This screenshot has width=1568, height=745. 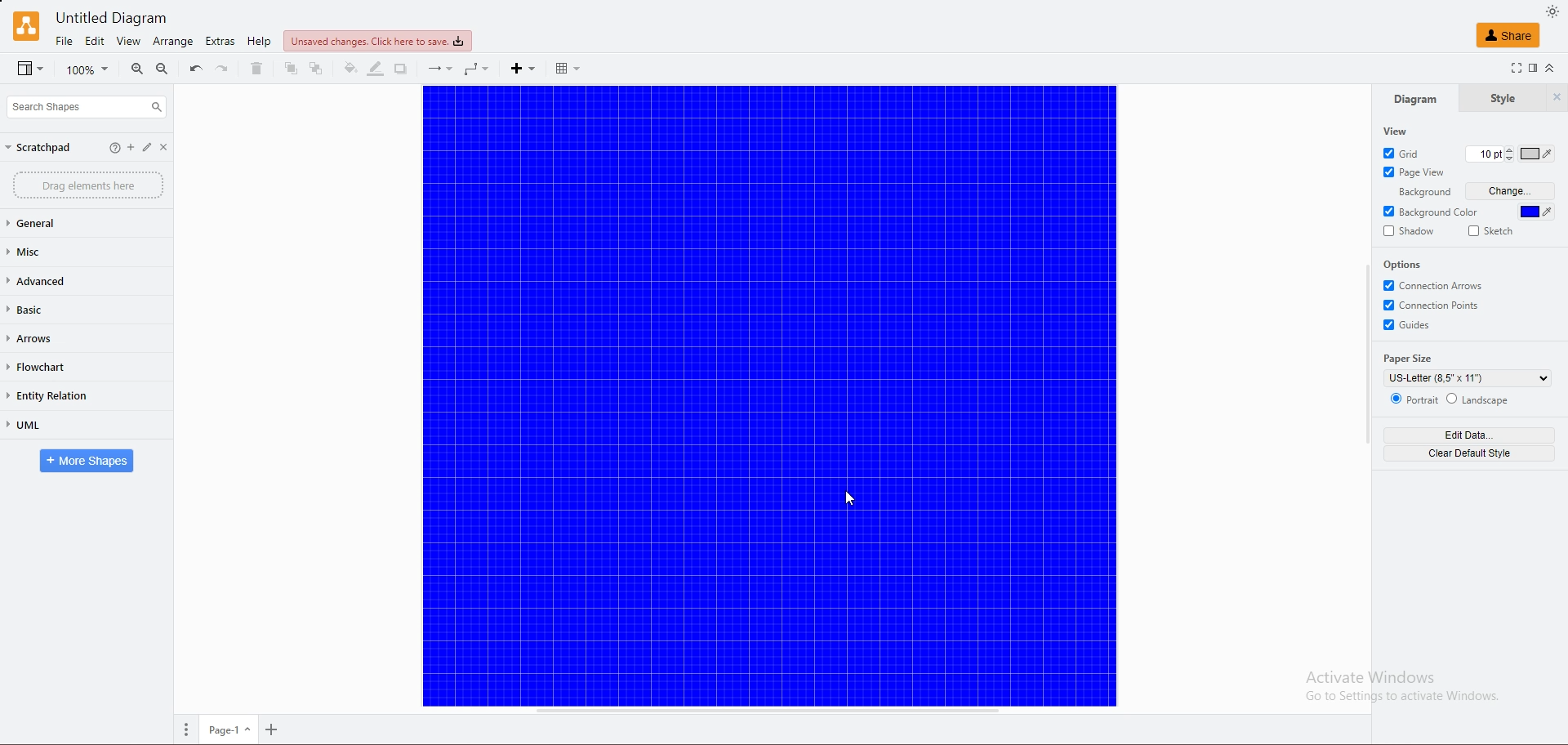 What do you see at coordinates (26, 25) in the screenshot?
I see `draw.io logo` at bounding box center [26, 25].